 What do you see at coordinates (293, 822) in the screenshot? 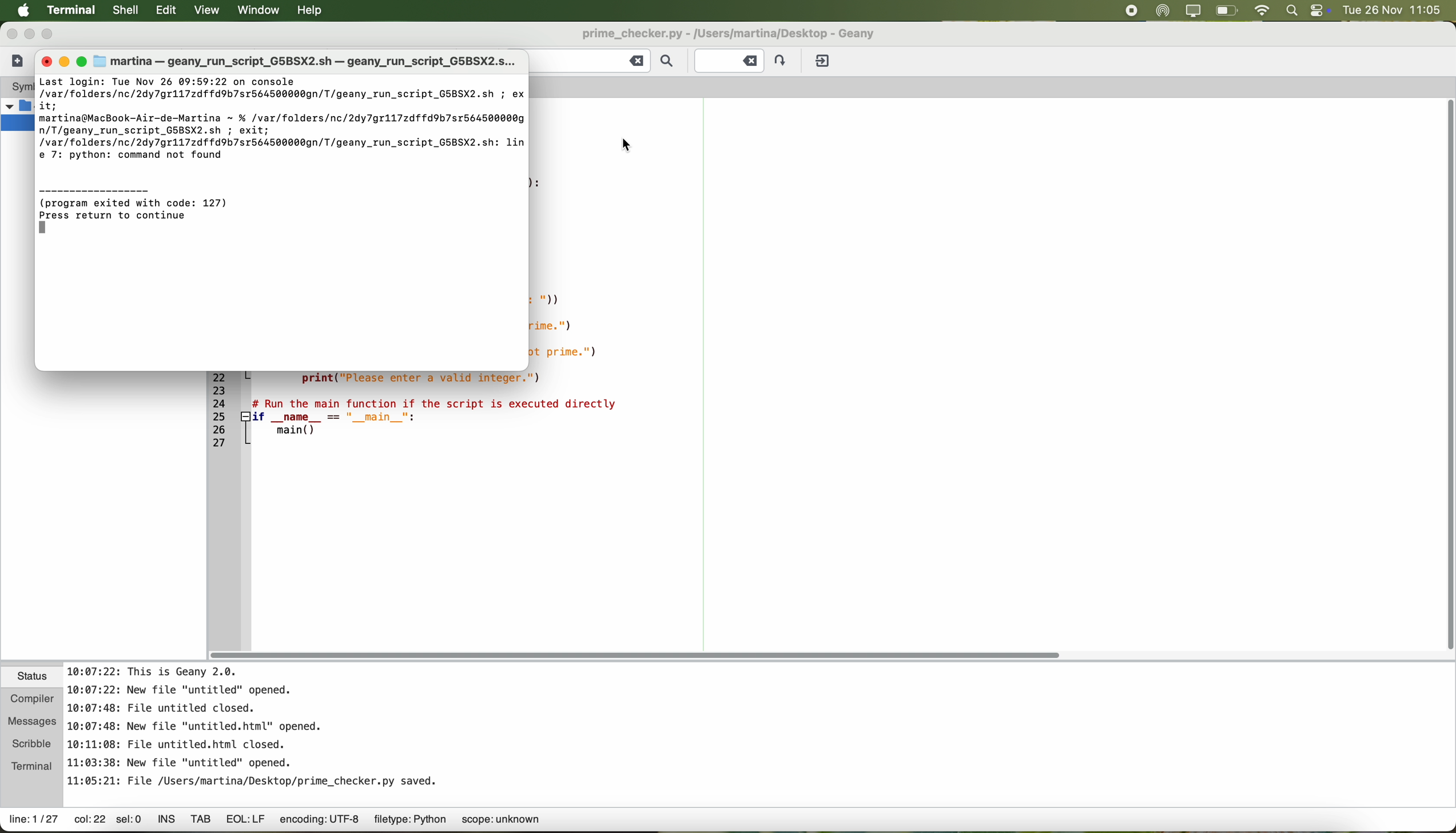
I see `data` at bounding box center [293, 822].